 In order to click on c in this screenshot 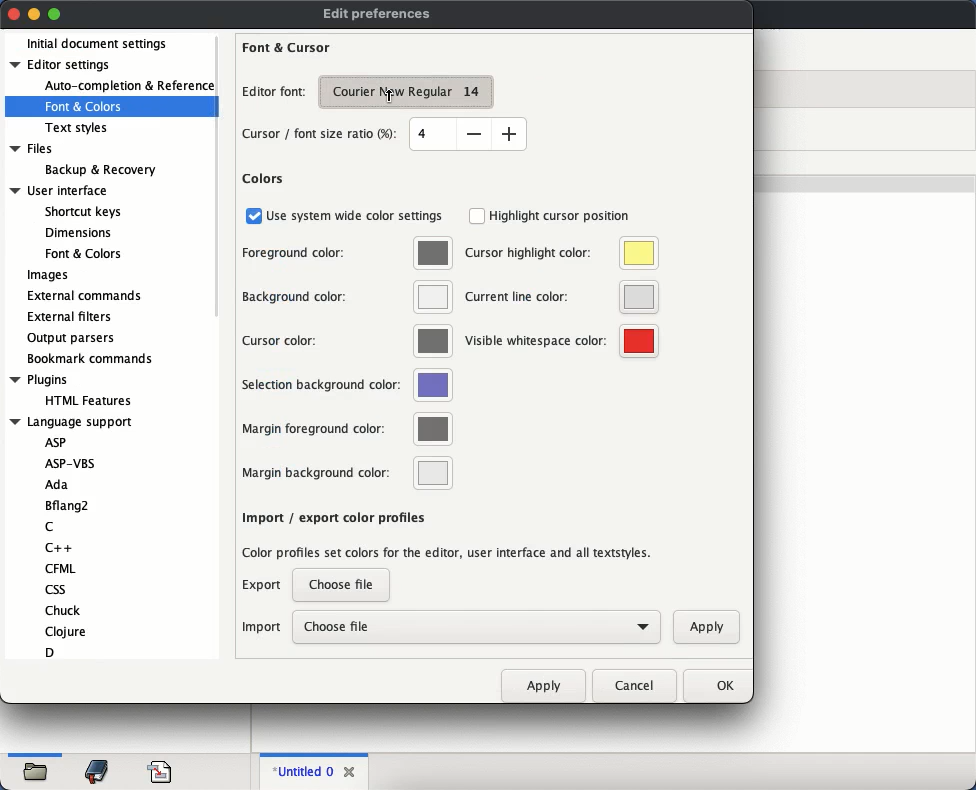, I will do `click(49, 528)`.